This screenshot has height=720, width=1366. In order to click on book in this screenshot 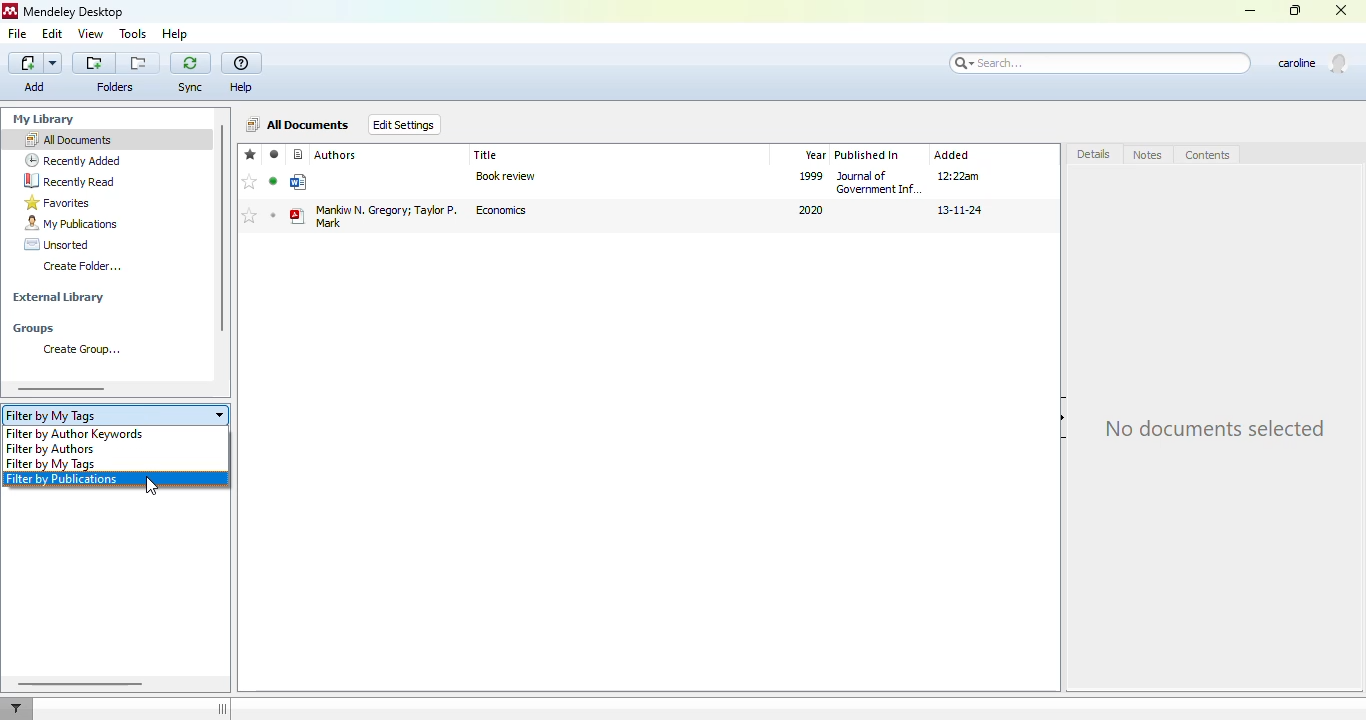, I will do `click(297, 217)`.